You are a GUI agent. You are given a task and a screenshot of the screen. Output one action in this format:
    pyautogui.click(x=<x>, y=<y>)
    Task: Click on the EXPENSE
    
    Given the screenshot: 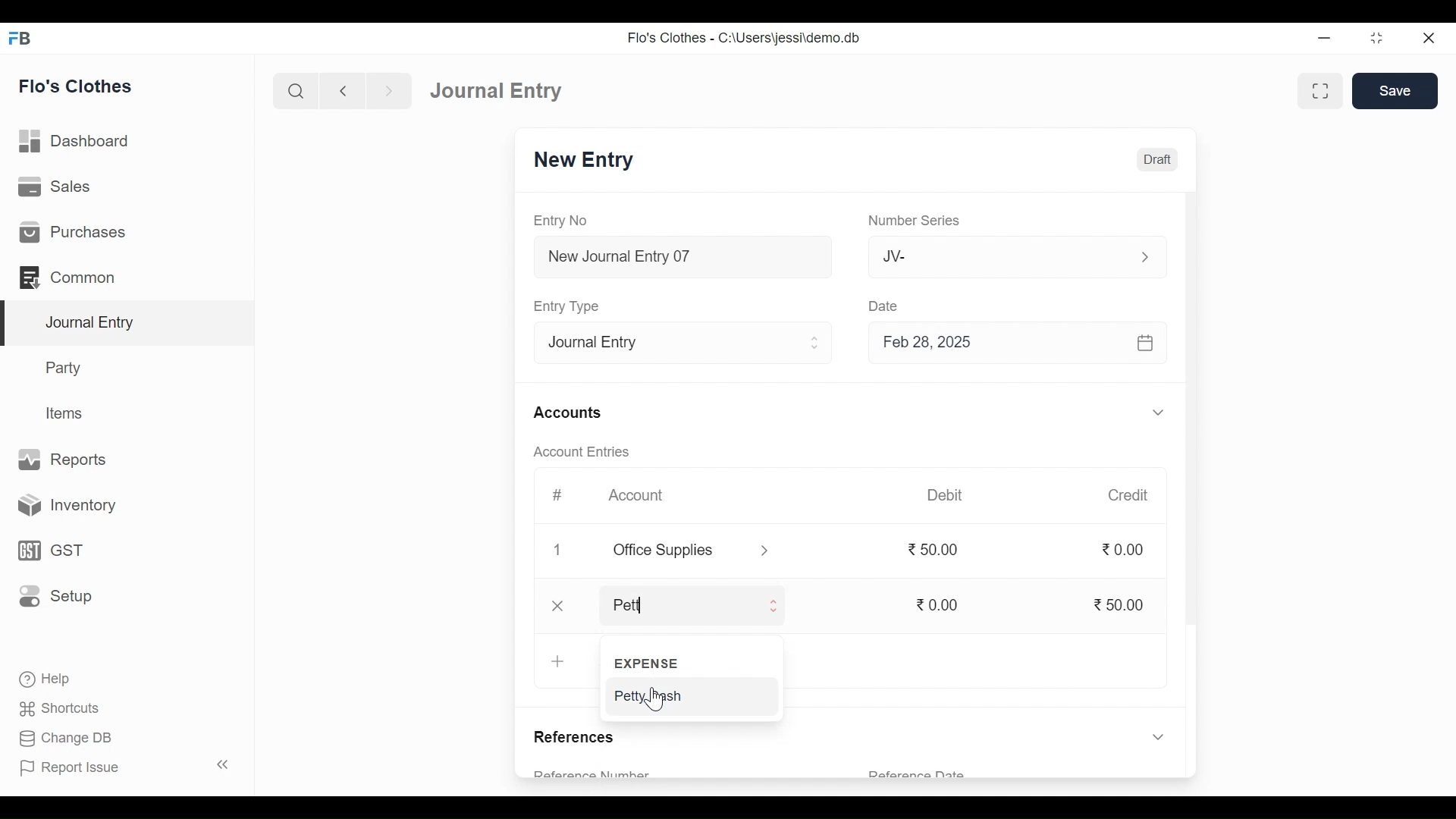 What is the action you would take?
    pyautogui.click(x=648, y=663)
    